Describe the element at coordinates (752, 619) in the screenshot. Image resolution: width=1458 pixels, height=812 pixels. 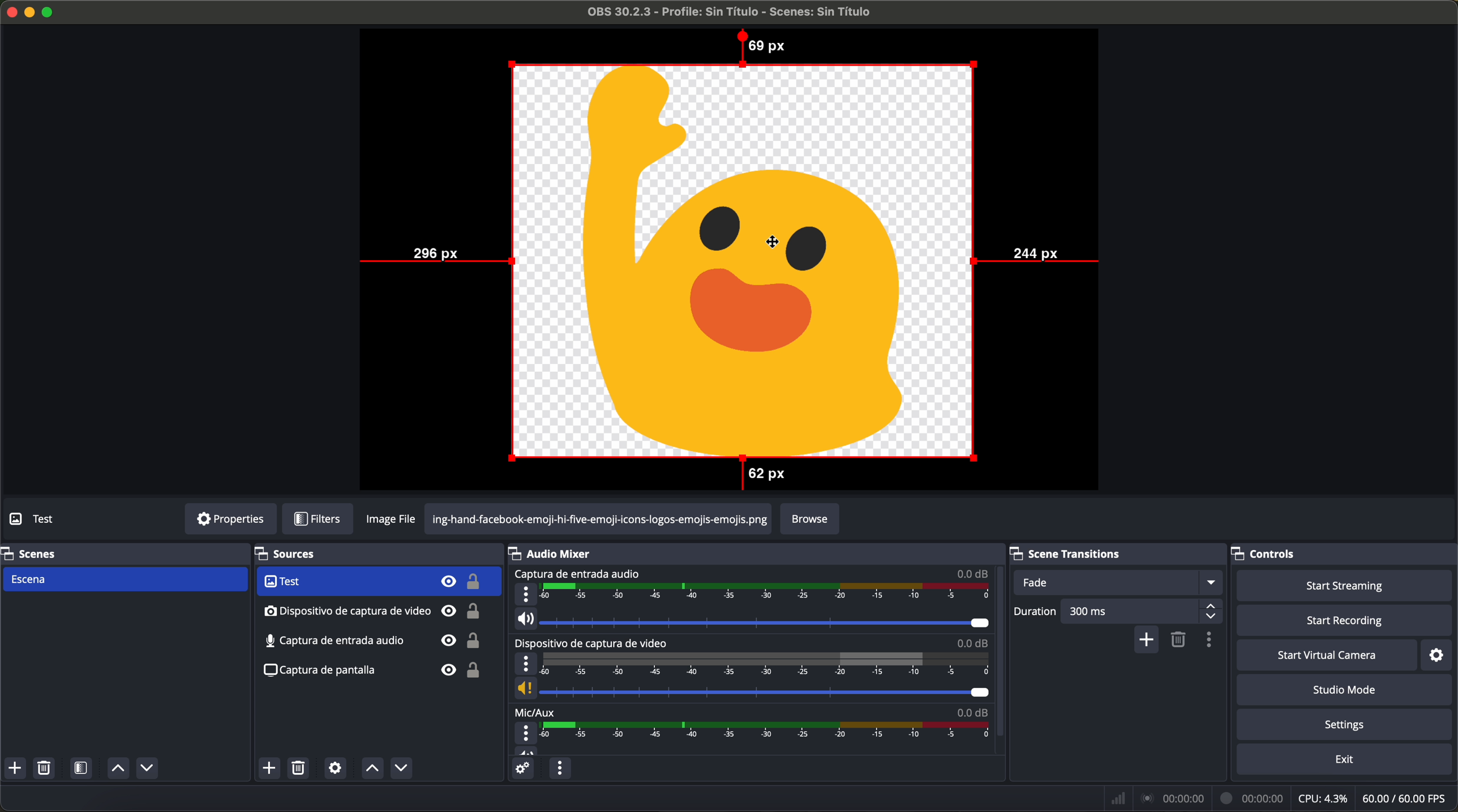
I see `vol` at that location.